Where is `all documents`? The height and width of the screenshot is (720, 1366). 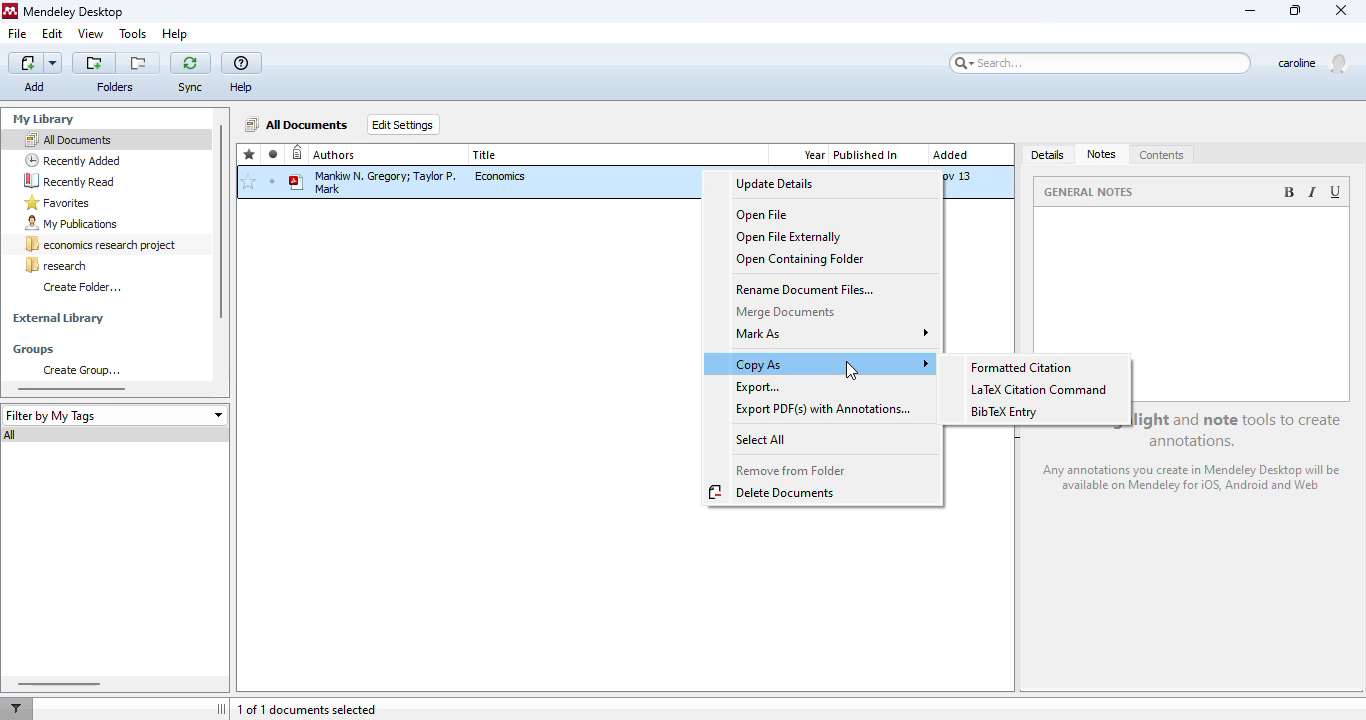
all documents is located at coordinates (67, 139).